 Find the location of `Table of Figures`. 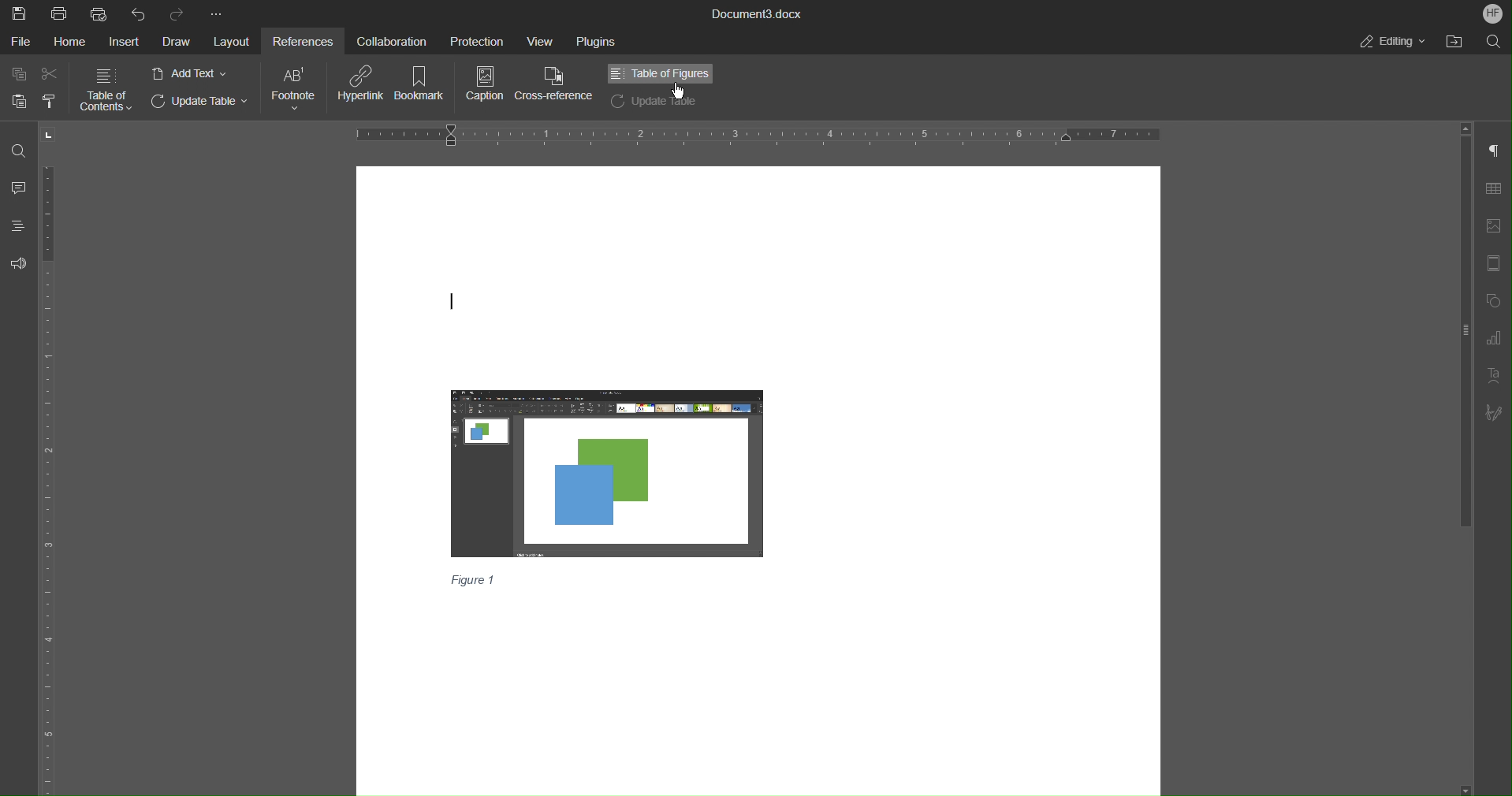

Table of Figures is located at coordinates (659, 73).